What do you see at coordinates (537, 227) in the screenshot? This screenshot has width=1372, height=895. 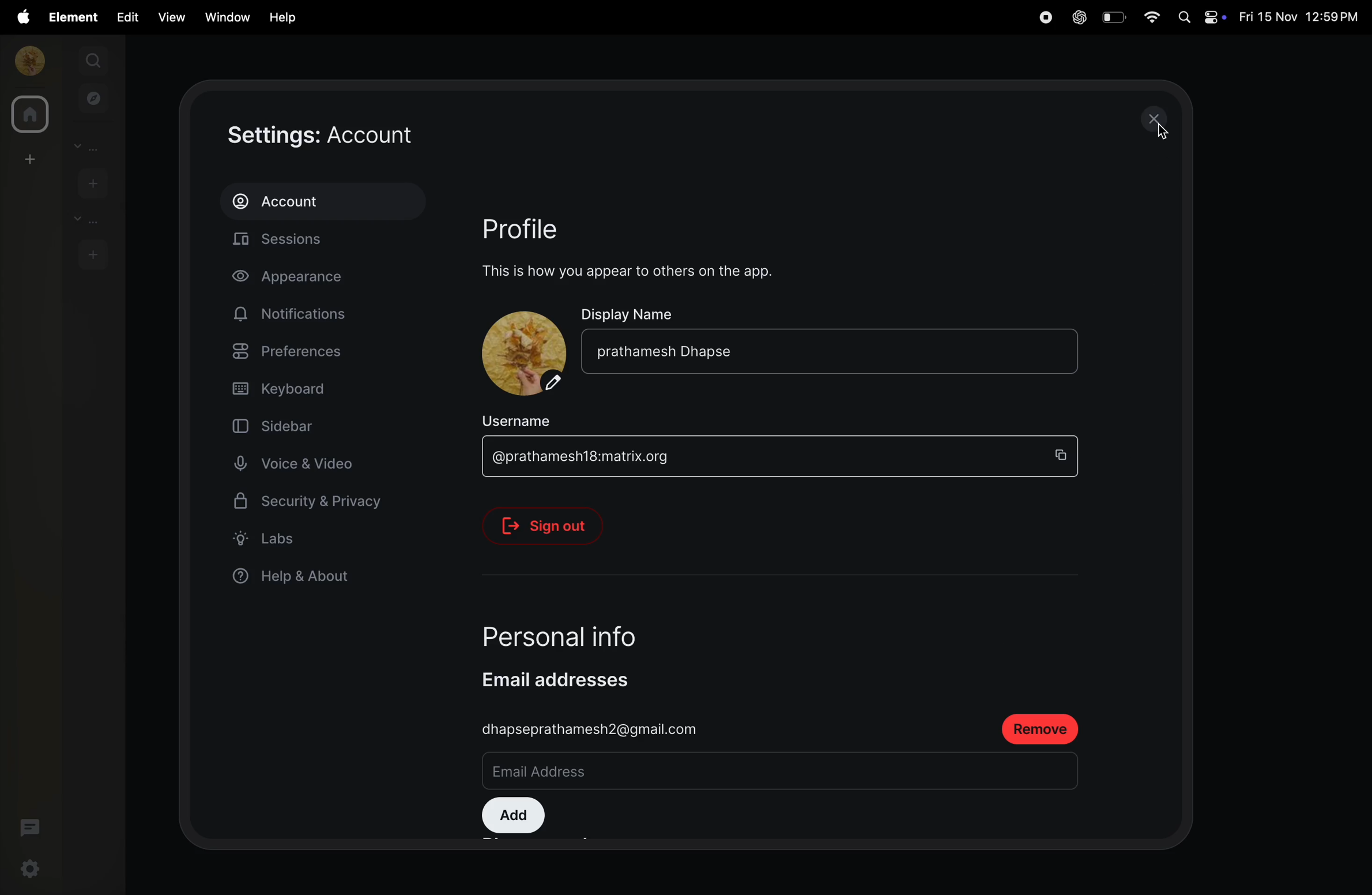 I see `profle` at bounding box center [537, 227].